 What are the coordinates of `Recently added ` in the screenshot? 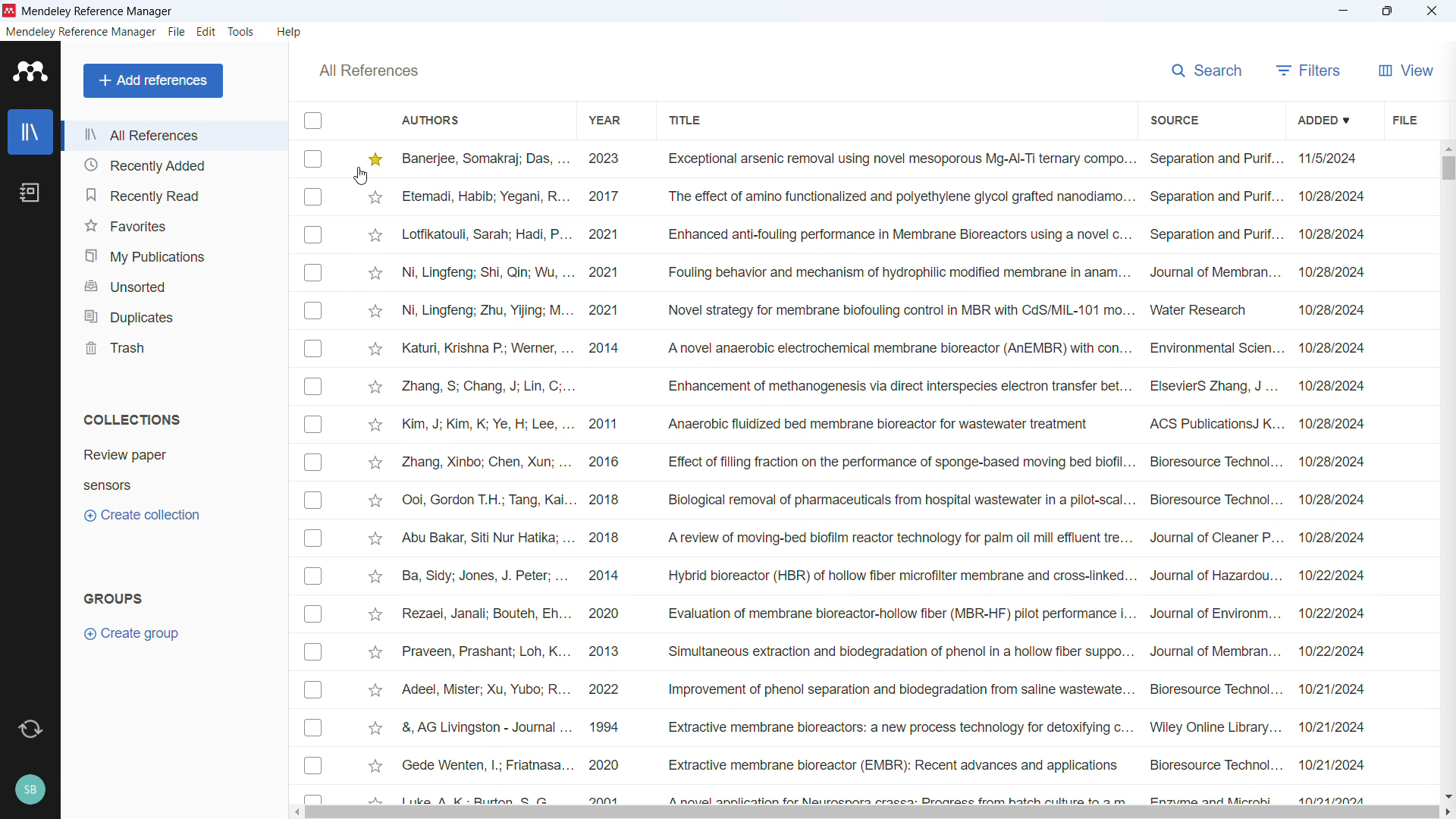 It's located at (174, 165).